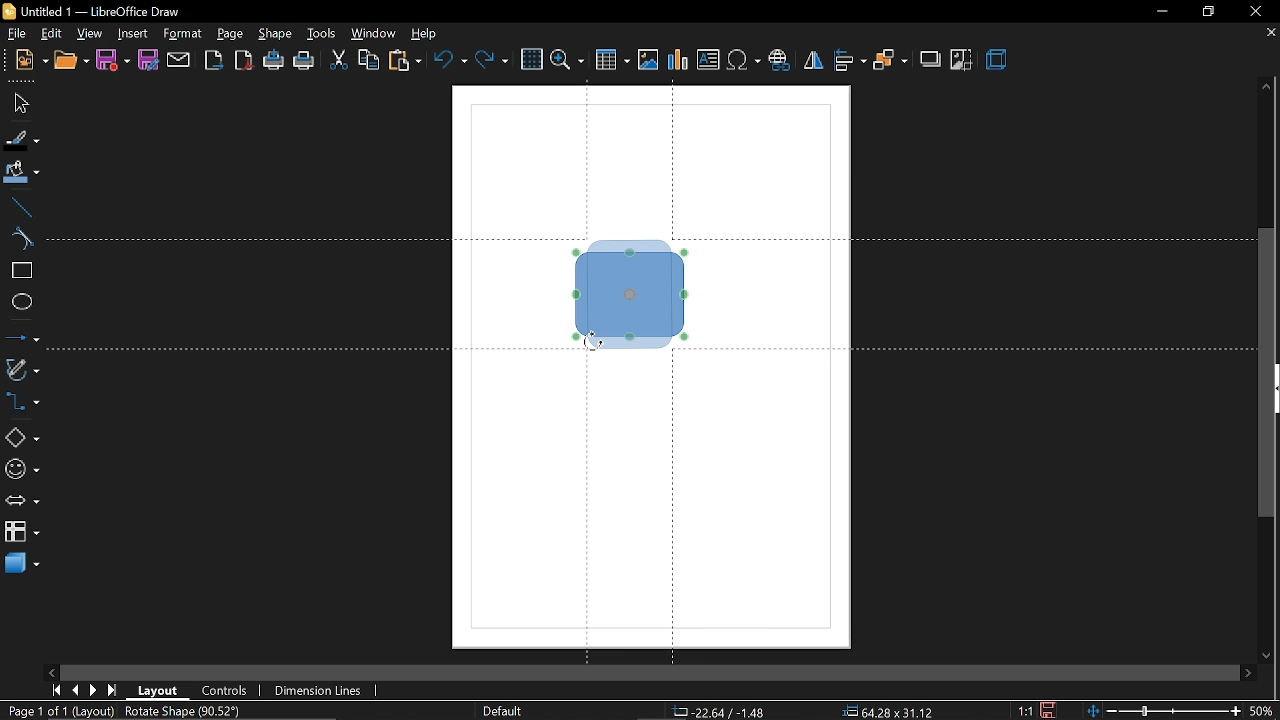  I want to click on zoom, so click(566, 60).